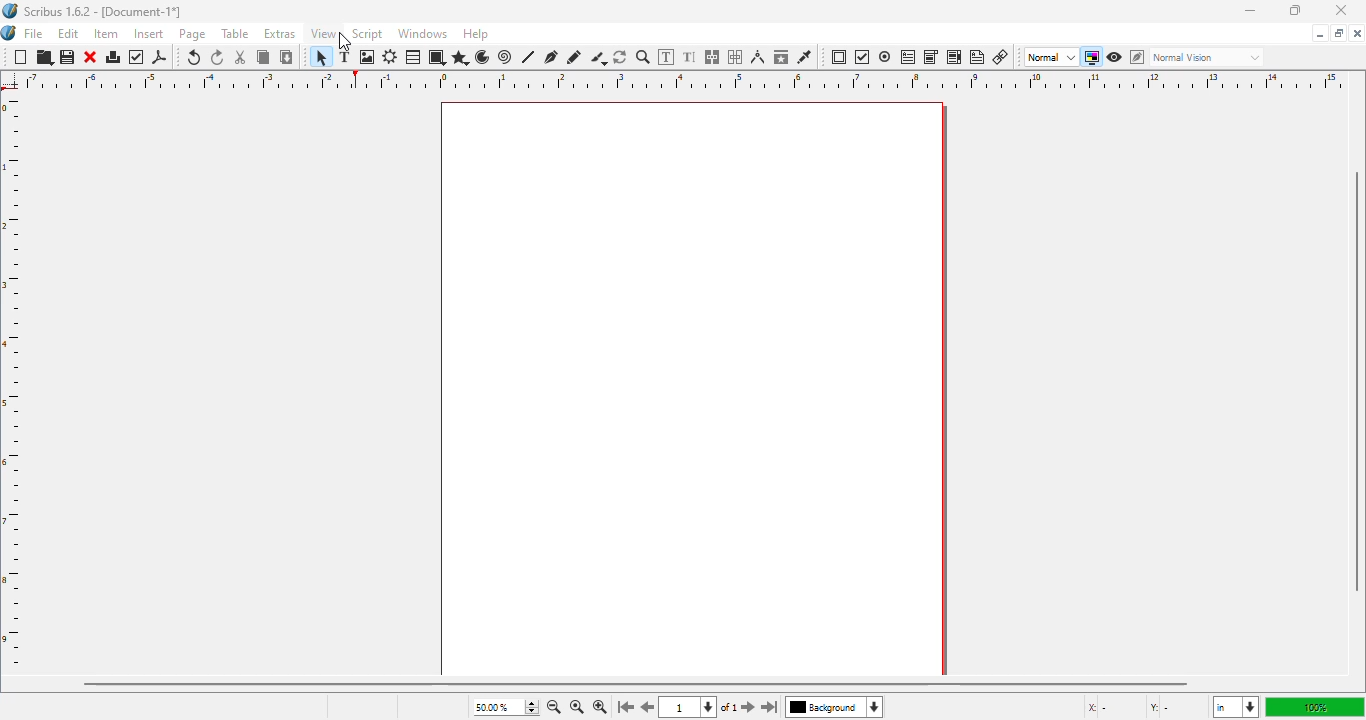 This screenshot has width=1366, height=720. What do you see at coordinates (1209, 57) in the screenshot?
I see `normal vision` at bounding box center [1209, 57].